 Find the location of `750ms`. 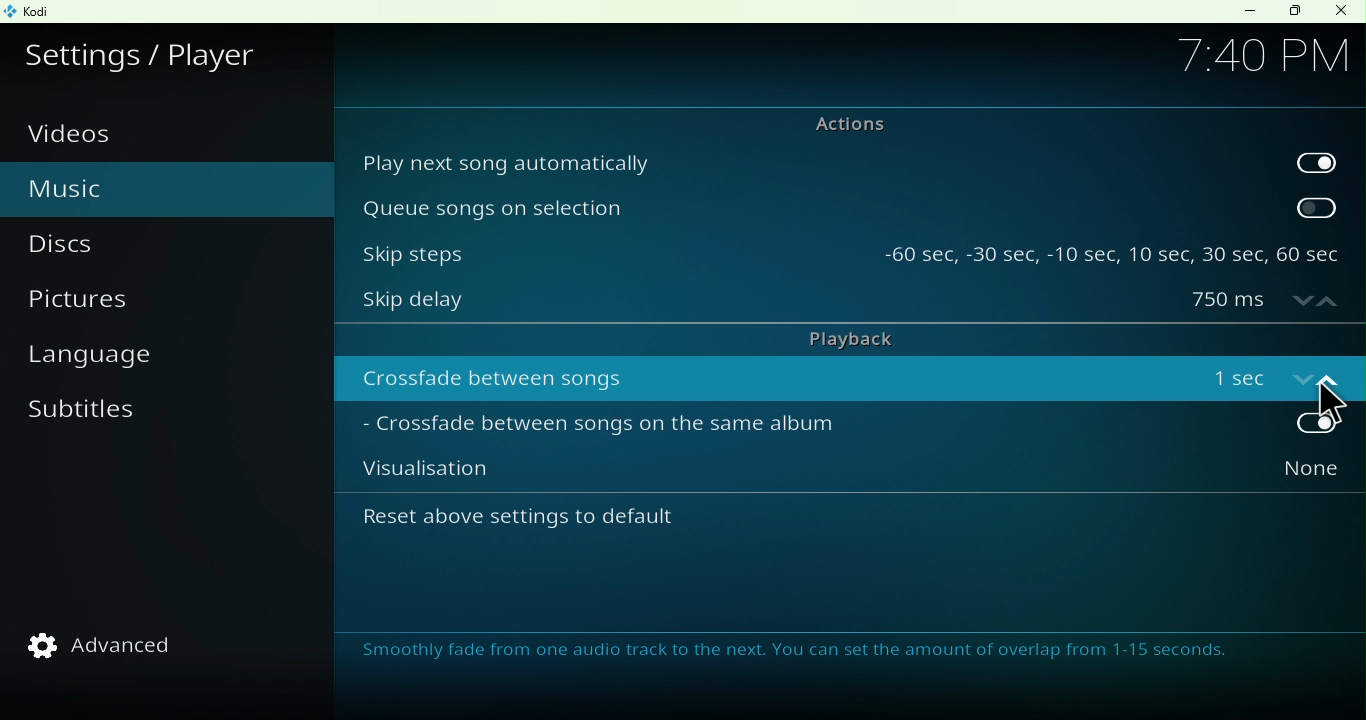

750ms is located at coordinates (1265, 302).